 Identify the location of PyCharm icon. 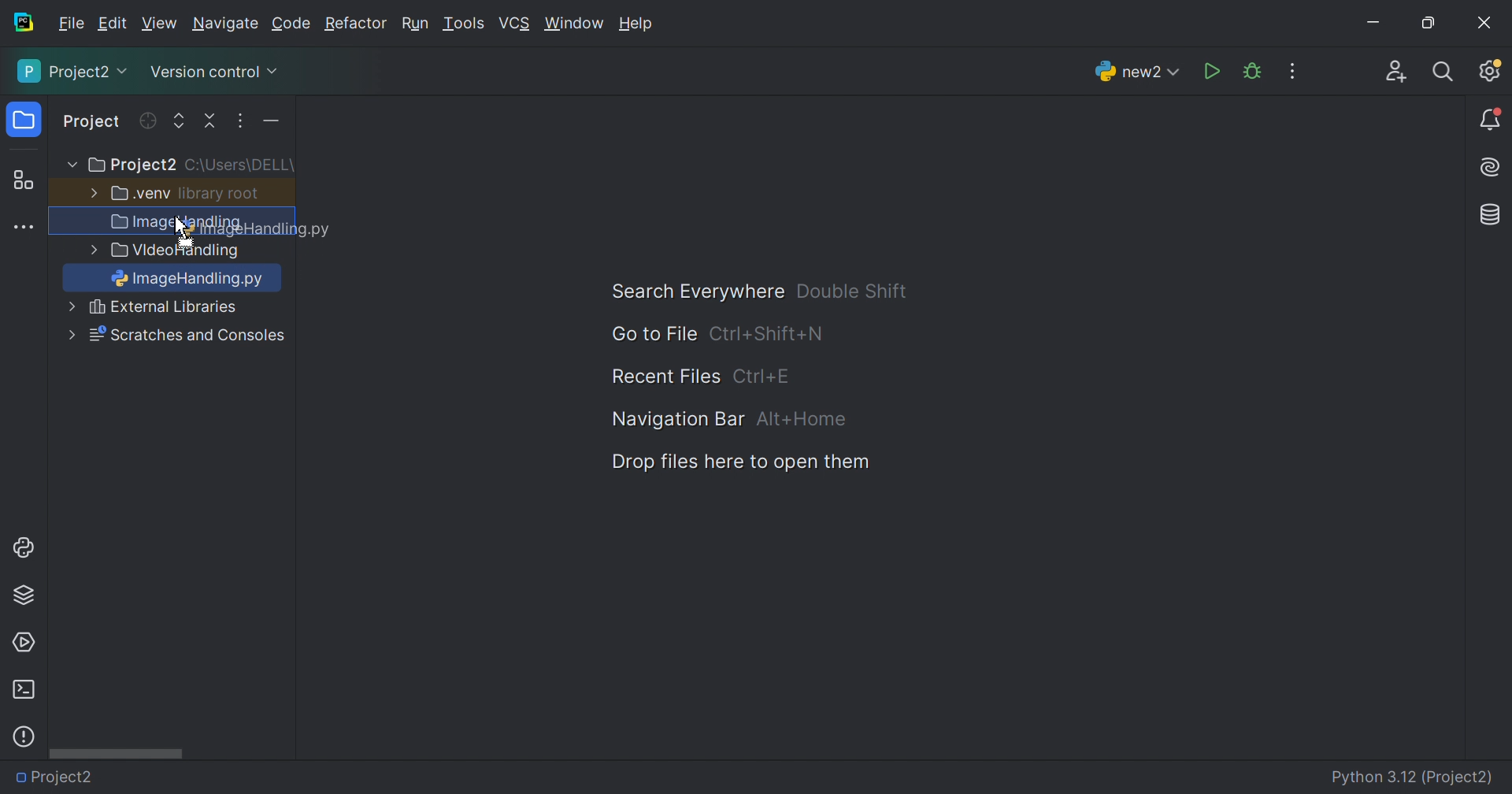
(22, 23).